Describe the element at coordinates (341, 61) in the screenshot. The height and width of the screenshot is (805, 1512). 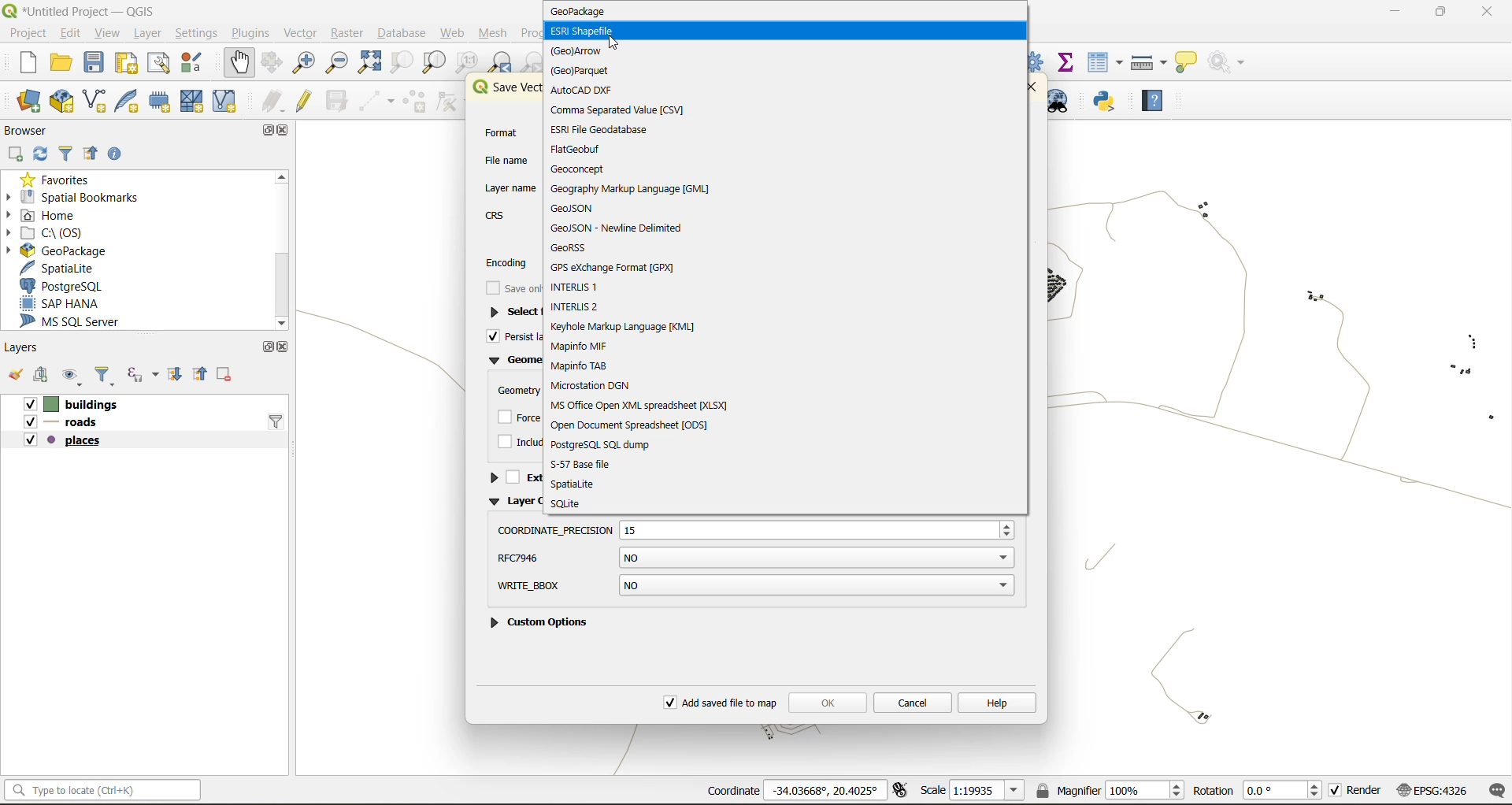
I see `zoom out` at that location.